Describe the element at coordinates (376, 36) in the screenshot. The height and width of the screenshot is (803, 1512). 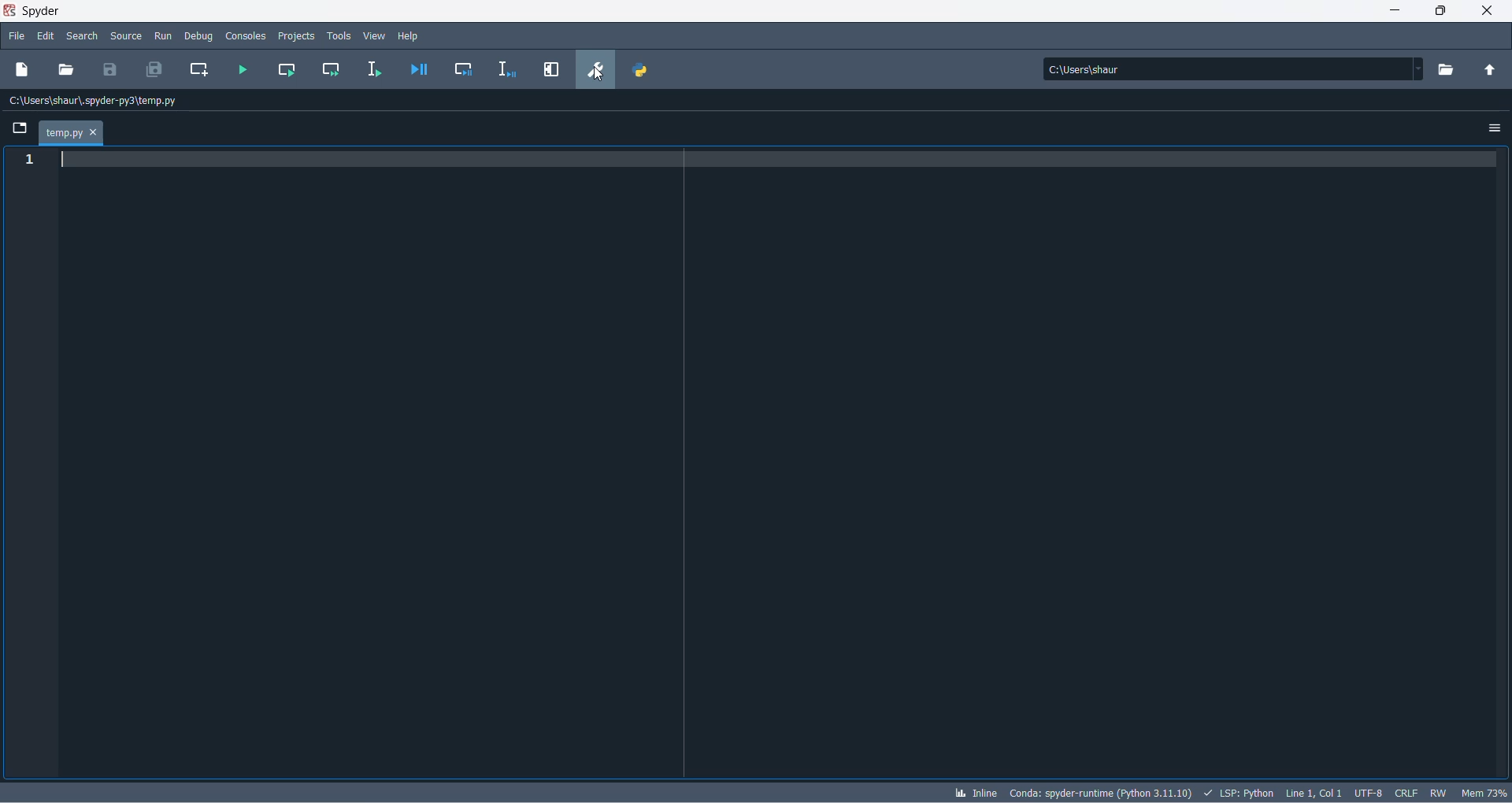
I see `view` at that location.